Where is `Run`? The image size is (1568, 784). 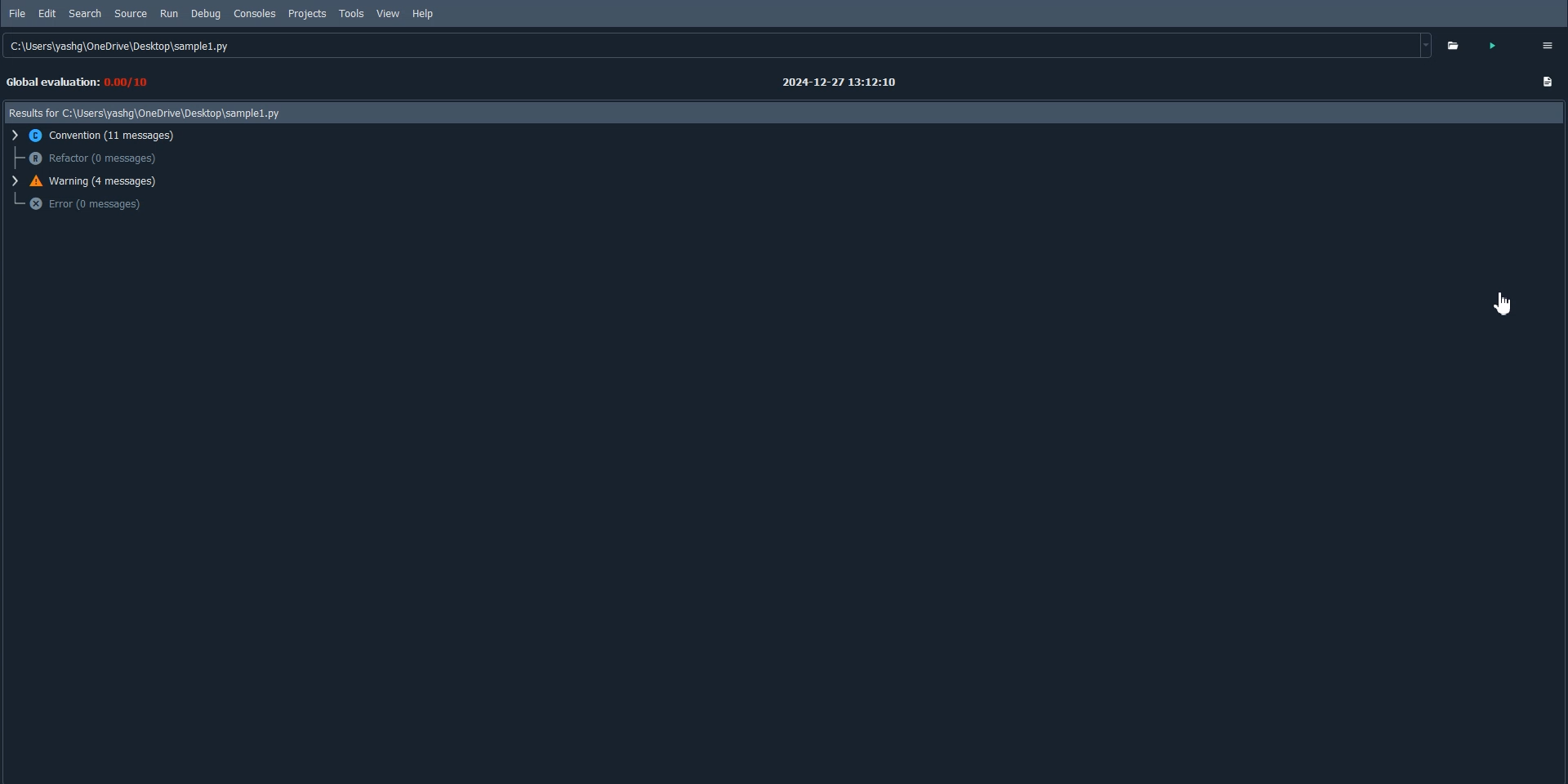 Run is located at coordinates (168, 14).